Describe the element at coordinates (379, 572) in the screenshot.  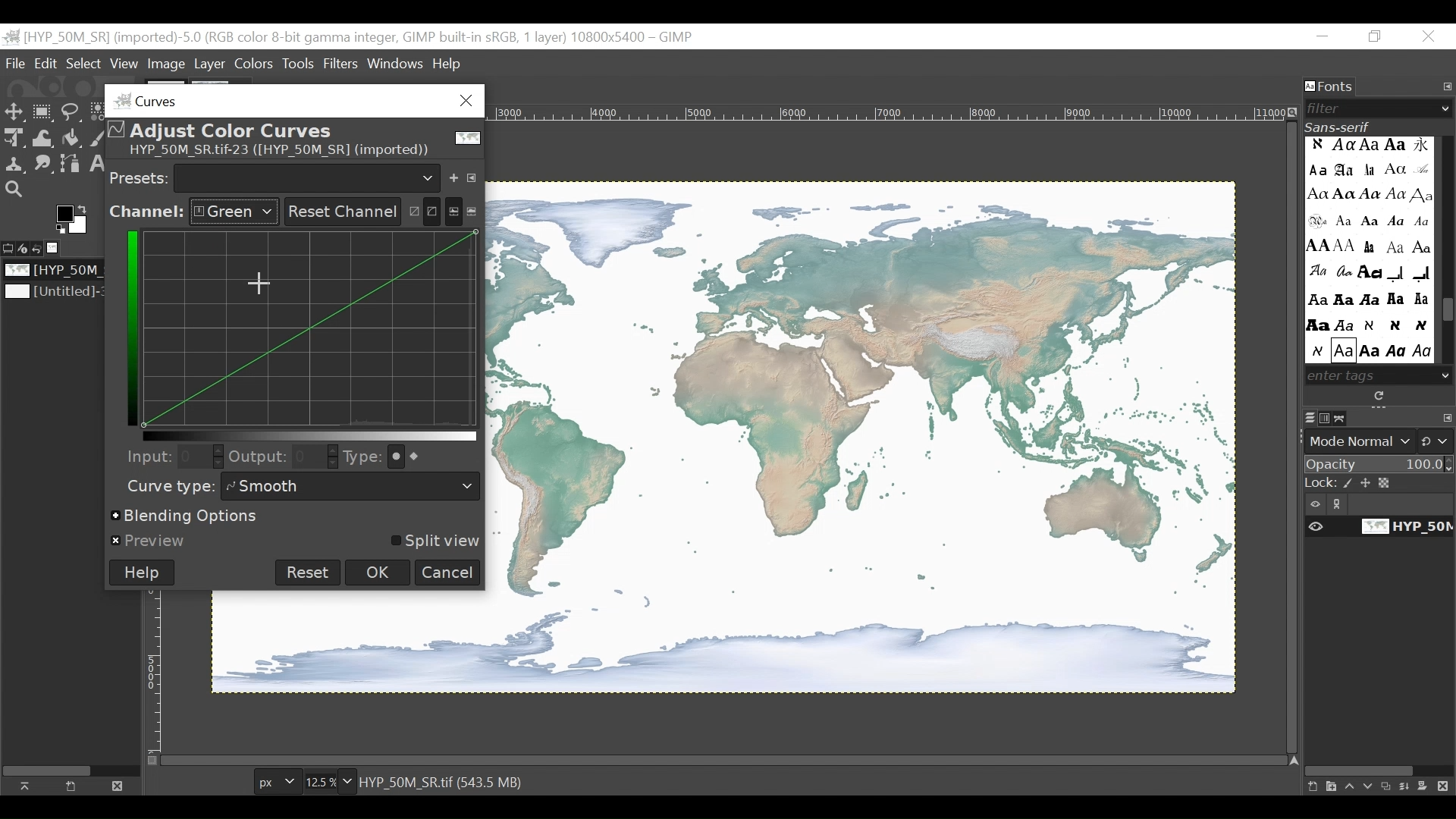
I see `OK` at that location.